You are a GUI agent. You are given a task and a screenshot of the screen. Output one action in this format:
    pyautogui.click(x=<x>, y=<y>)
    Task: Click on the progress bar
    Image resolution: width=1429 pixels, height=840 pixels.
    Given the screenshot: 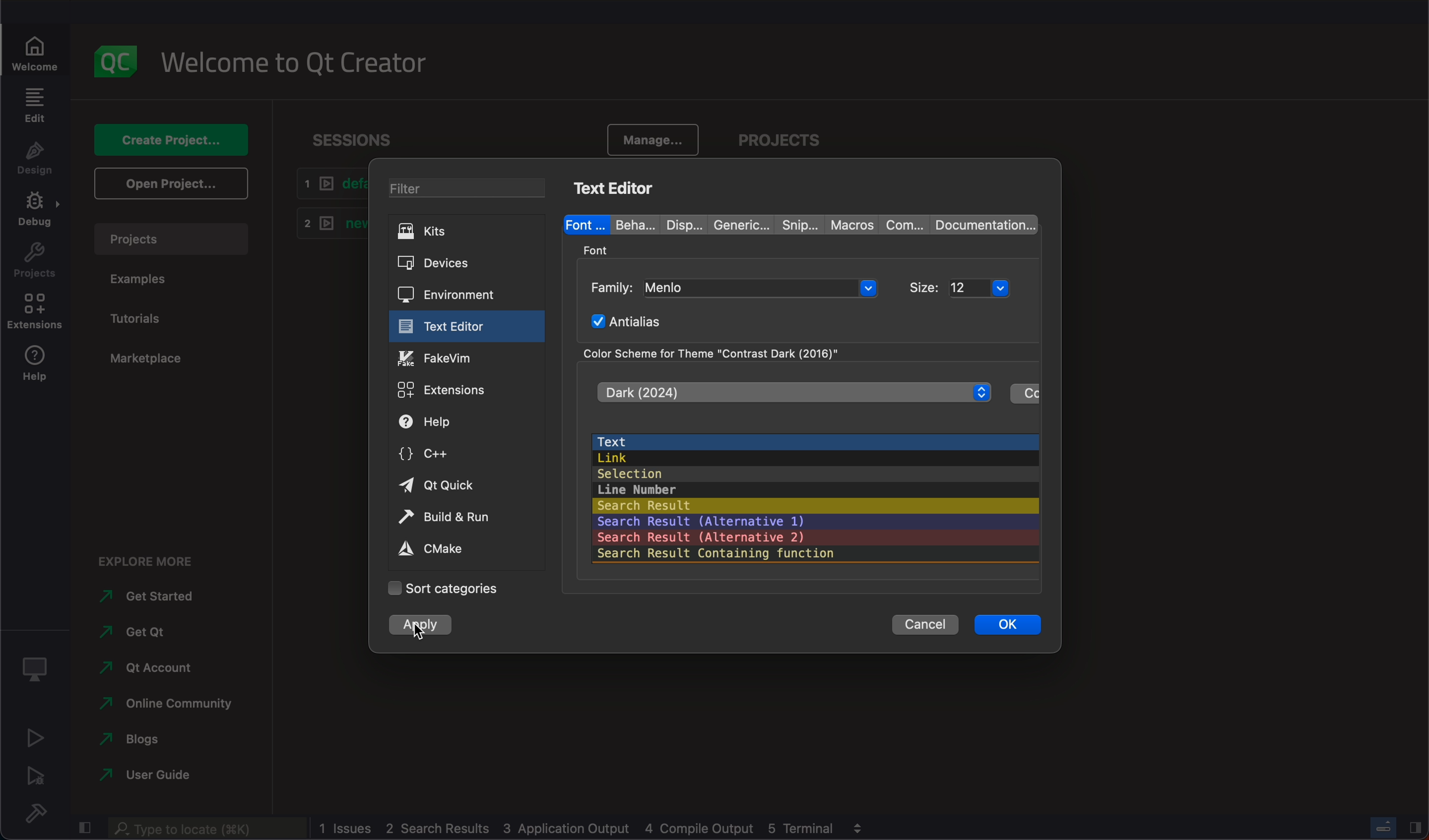 What is the action you would take?
    pyautogui.click(x=1385, y=827)
    